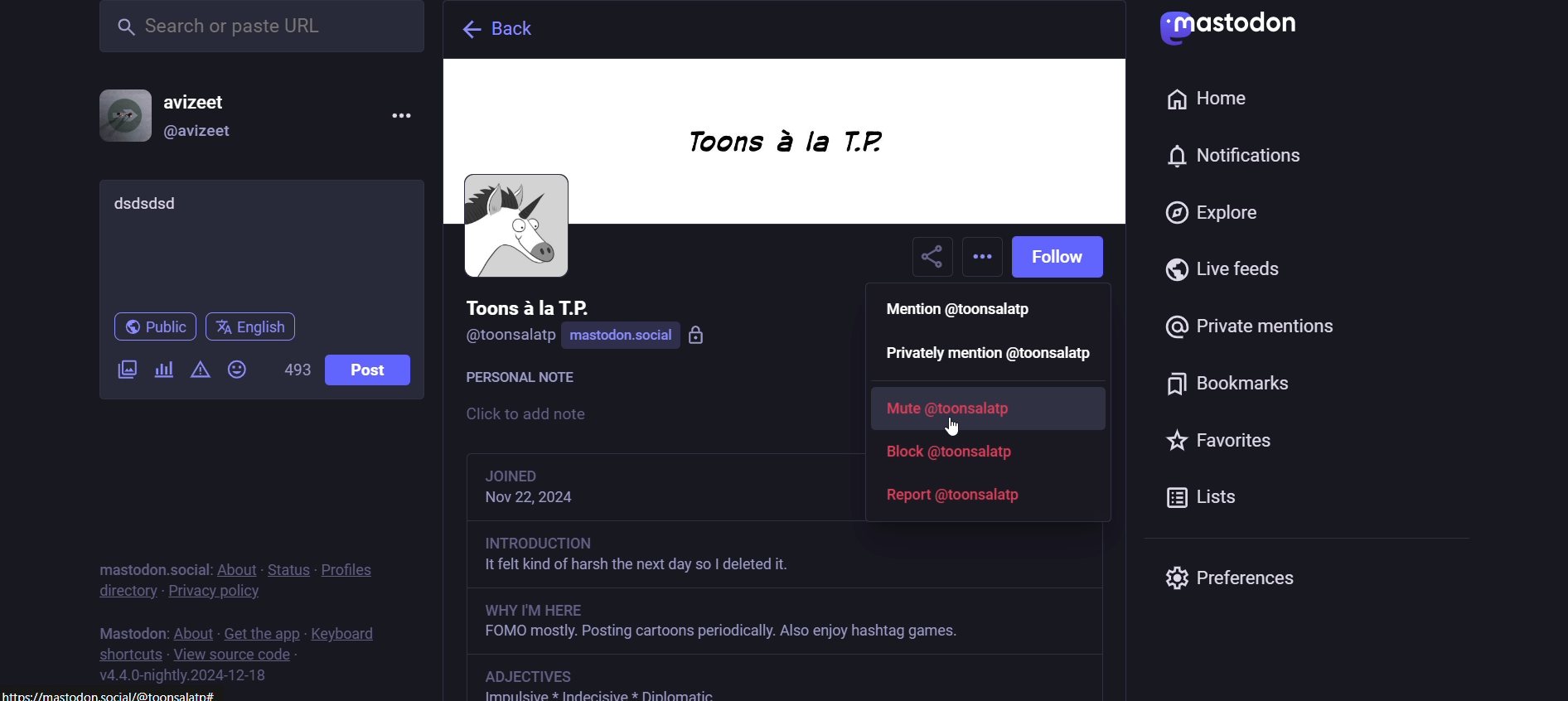 This screenshot has height=701, width=1568. Describe the element at coordinates (956, 496) in the screenshot. I see `report` at that location.